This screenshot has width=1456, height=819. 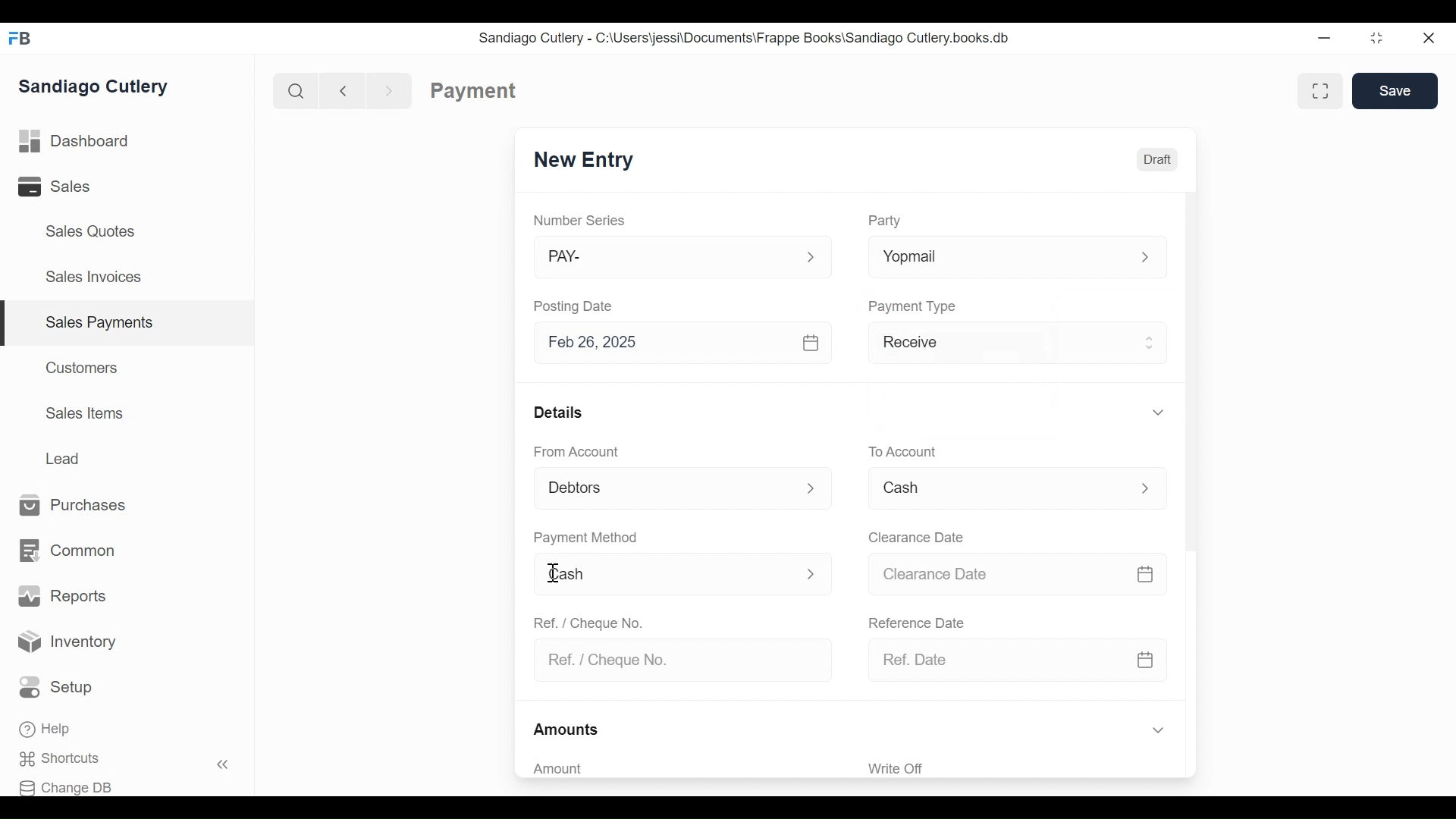 What do you see at coordinates (917, 538) in the screenshot?
I see `Clearance Date` at bounding box center [917, 538].